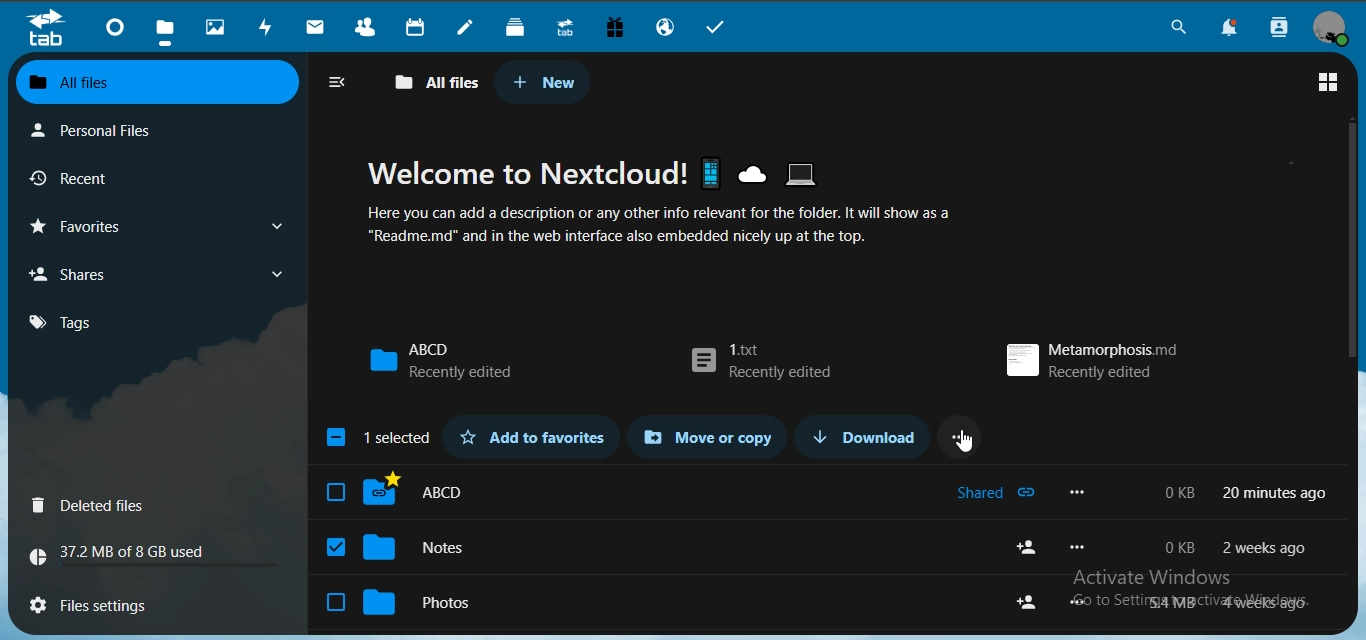  What do you see at coordinates (368, 25) in the screenshot?
I see `contacts` at bounding box center [368, 25].